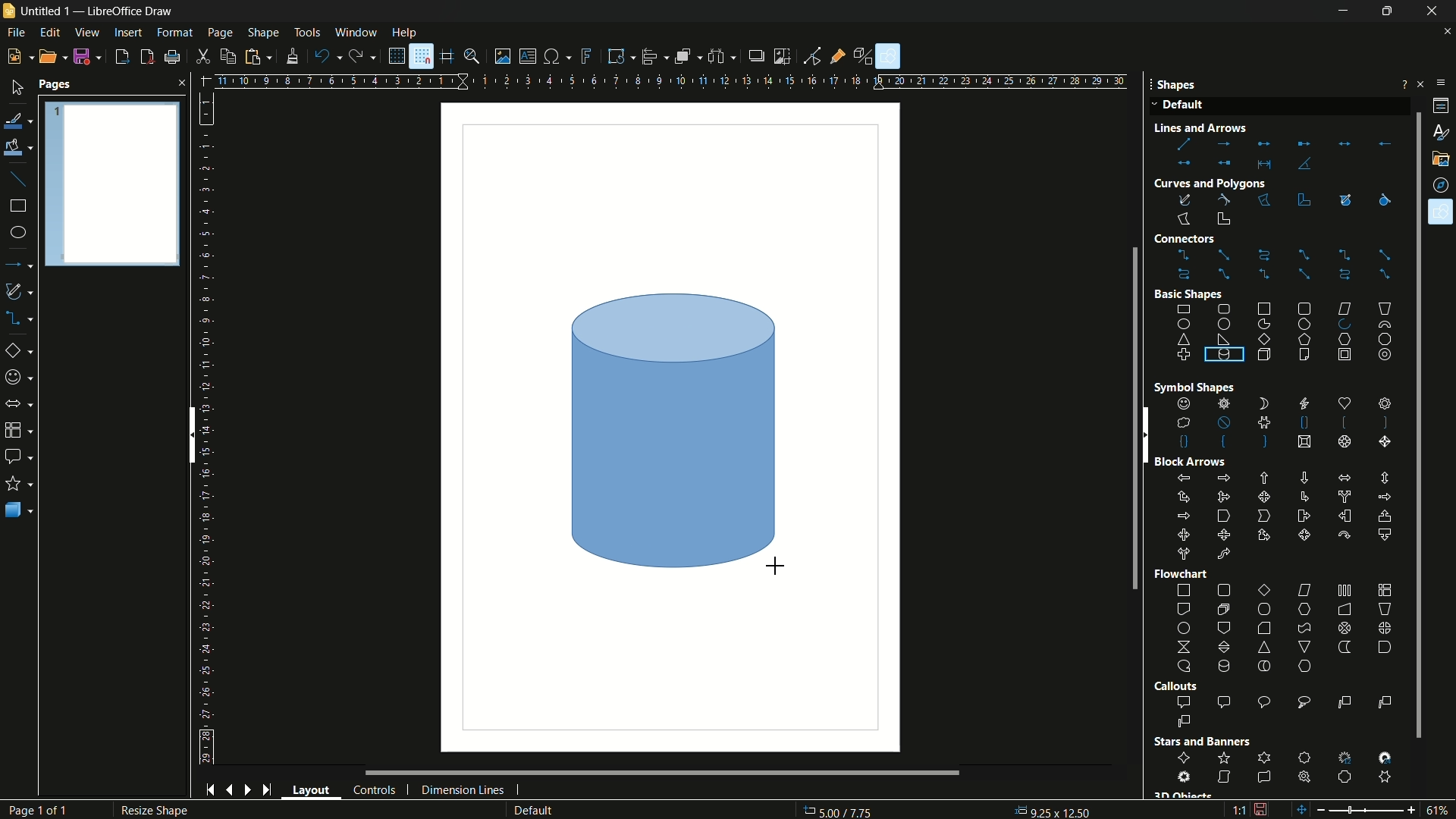 The image size is (1456, 819). I want to click on close document, so click(1447, 33).